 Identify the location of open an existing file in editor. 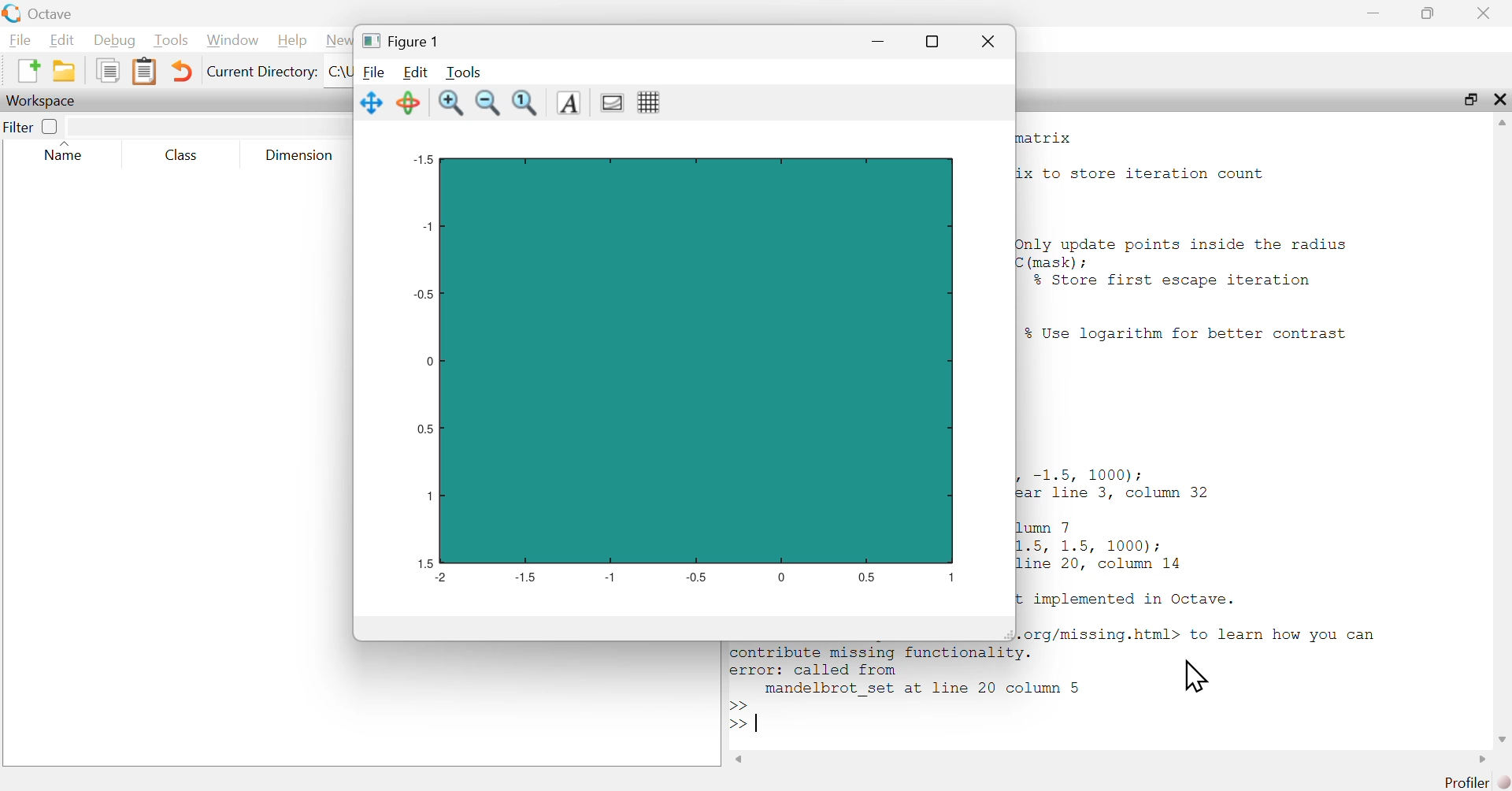
(64, 72).